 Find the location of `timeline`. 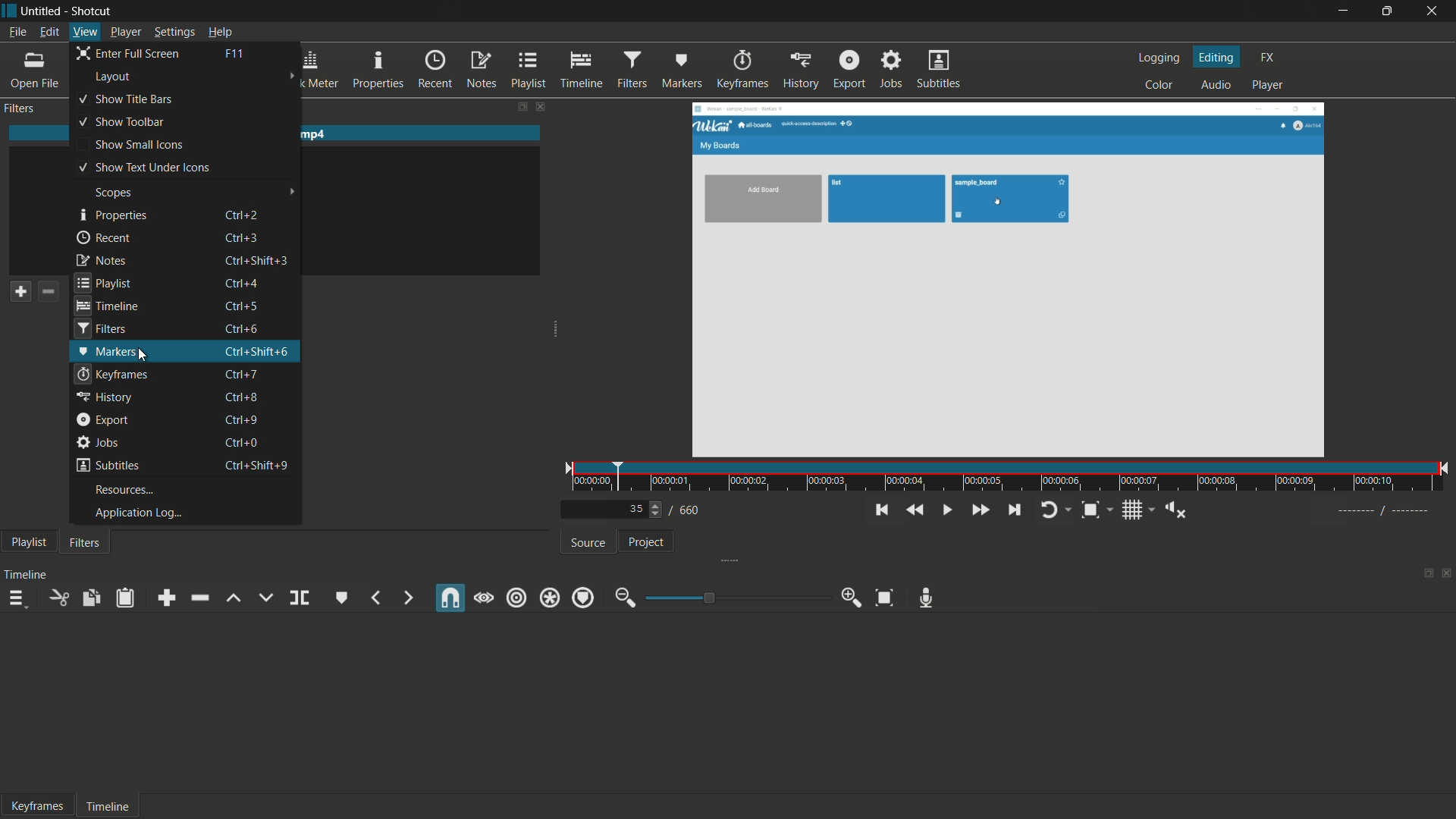

timeline is located at coordinates (105, 307).